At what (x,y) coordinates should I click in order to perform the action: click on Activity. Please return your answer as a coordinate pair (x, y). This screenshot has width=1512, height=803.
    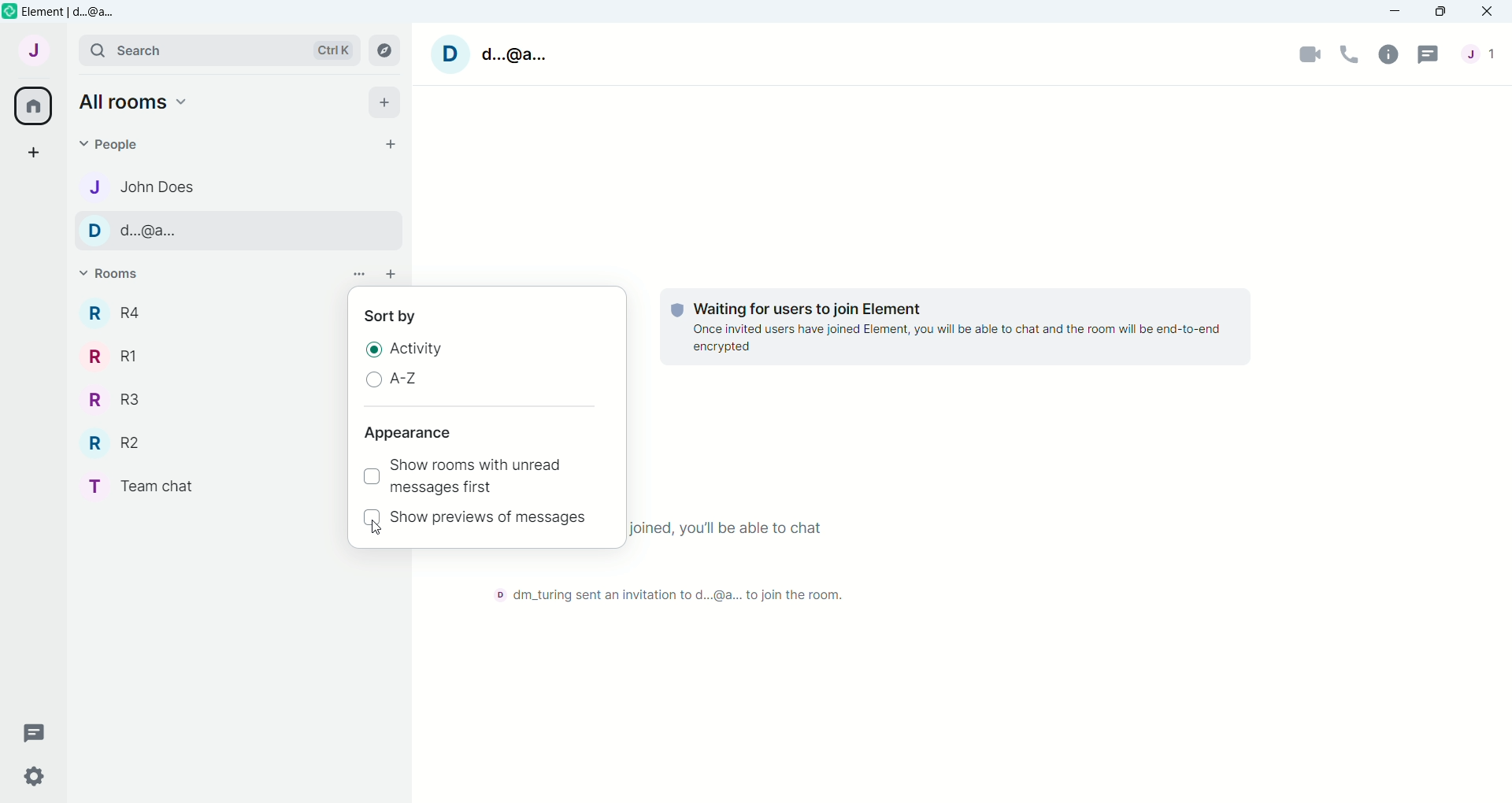
    Looking at the image, I should click on (418, 350).